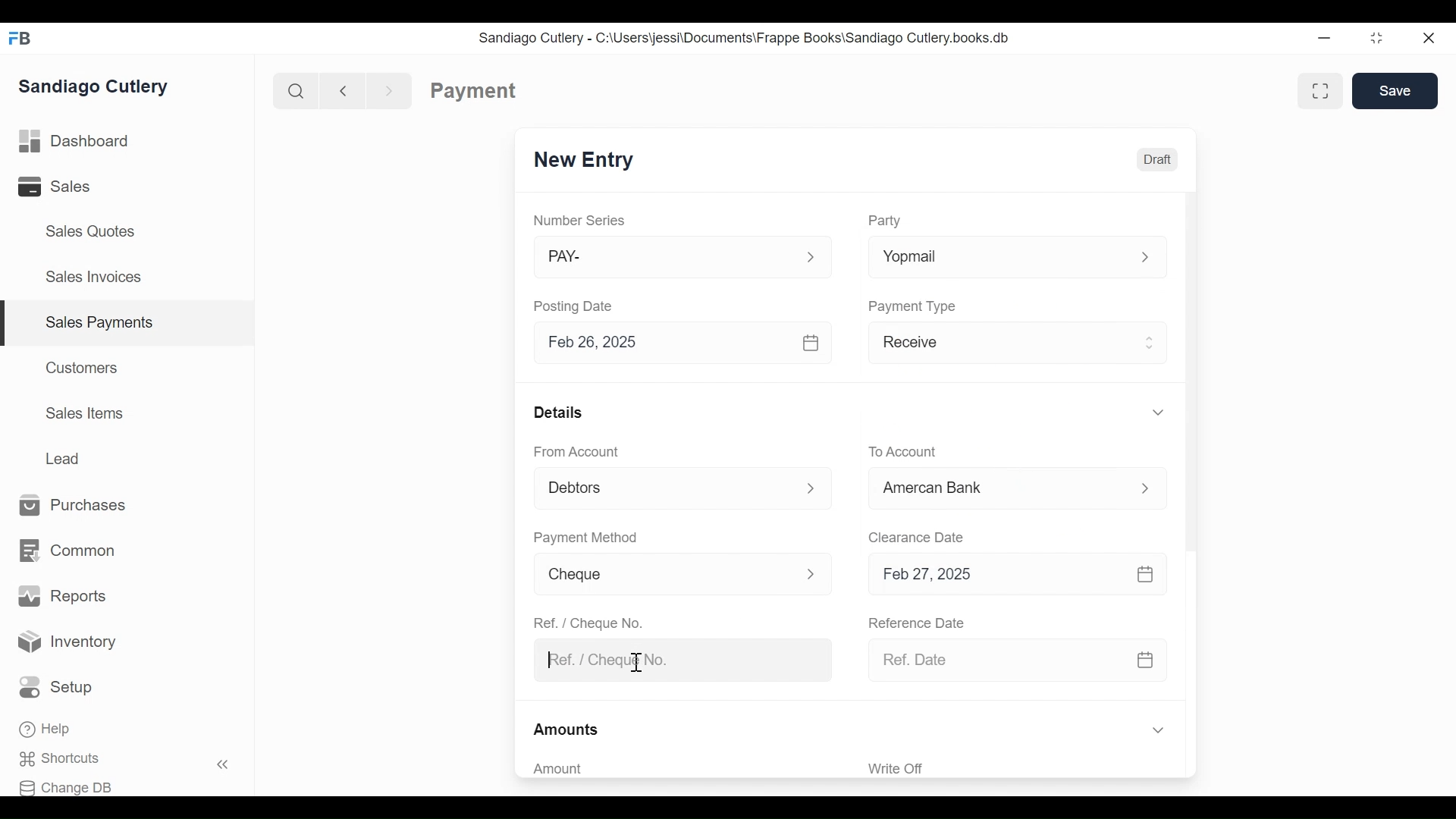 This screenshot has width=1456, height=819. Describe the element at coordinates (902, 452) in the screenshot. I see `To Account` at that location.